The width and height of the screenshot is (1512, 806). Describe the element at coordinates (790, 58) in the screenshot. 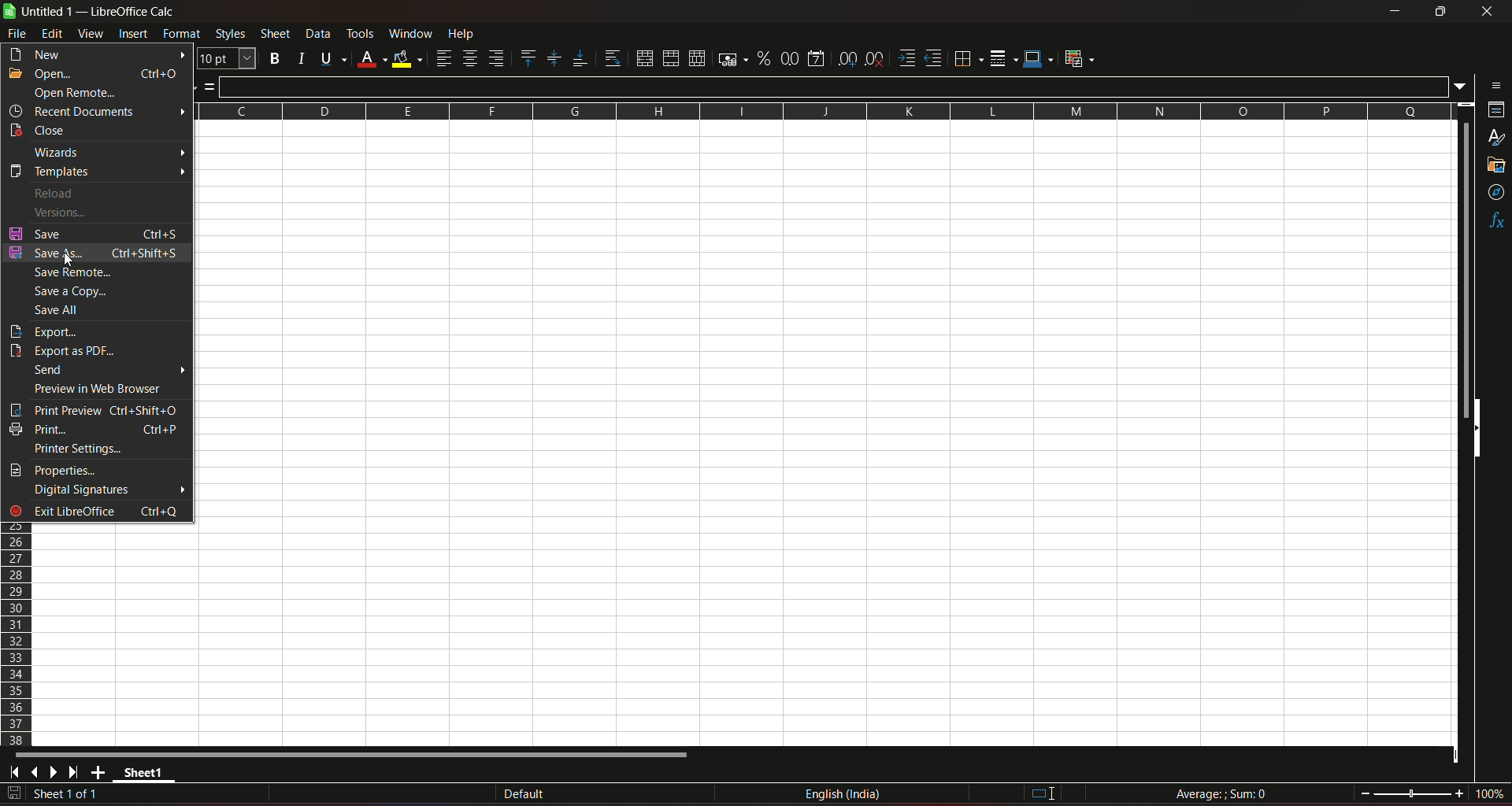

I see `format as number` at that location.